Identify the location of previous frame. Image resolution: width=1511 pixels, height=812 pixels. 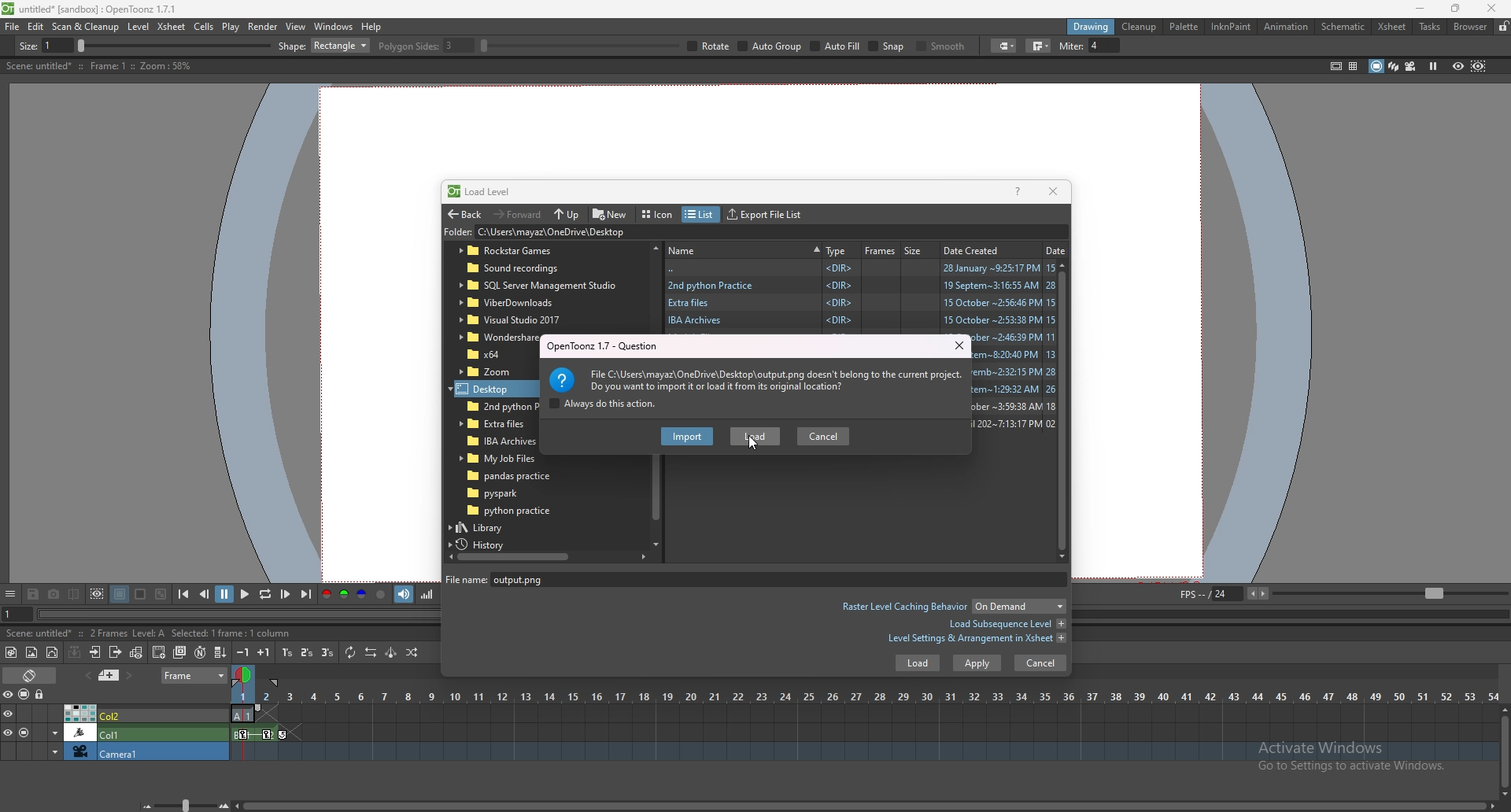
(205, 593).